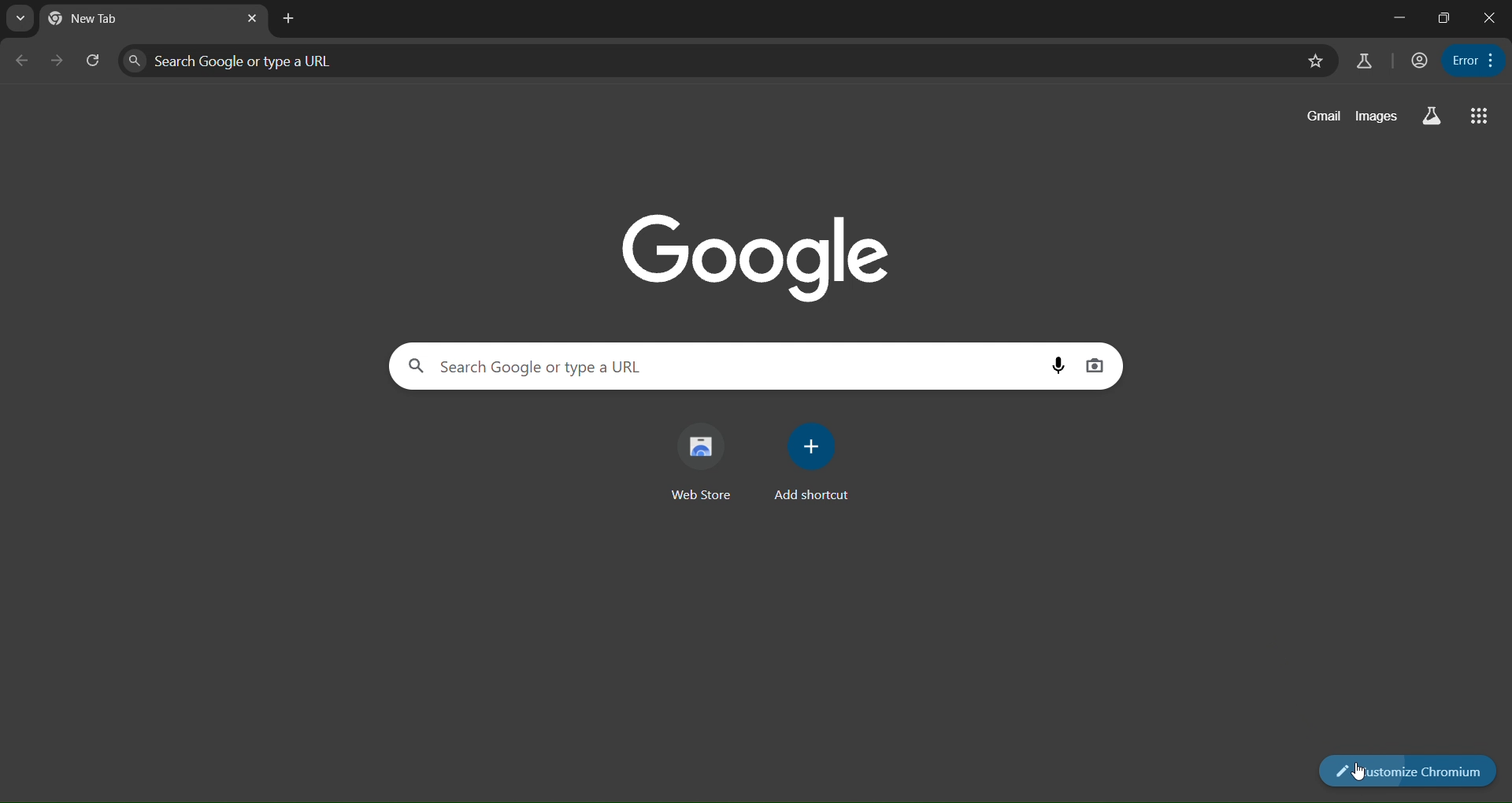  I want to click on images, so click(1378, 117).